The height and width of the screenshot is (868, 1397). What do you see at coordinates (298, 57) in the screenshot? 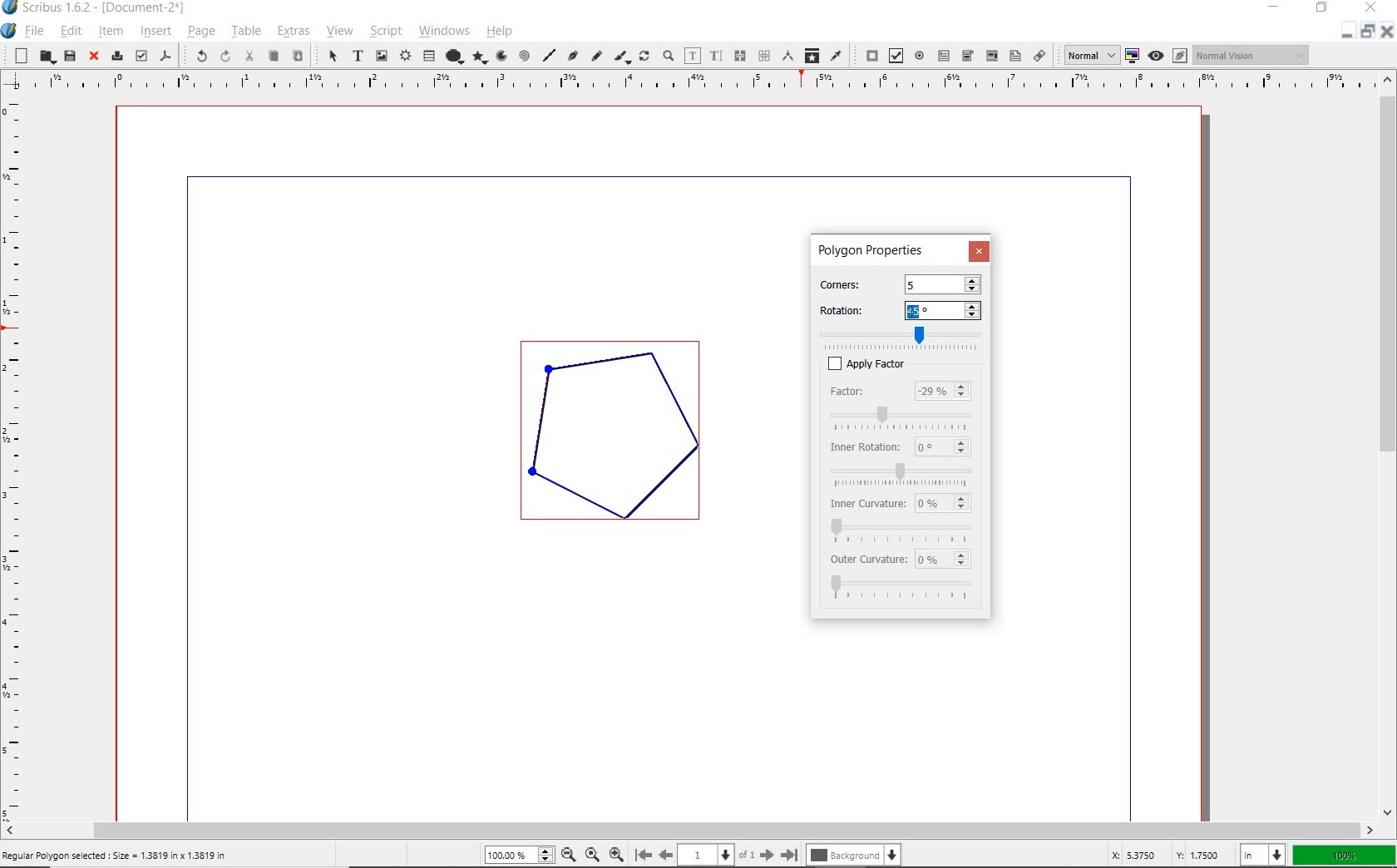
I see `paste` at bounding box center [298, 57].